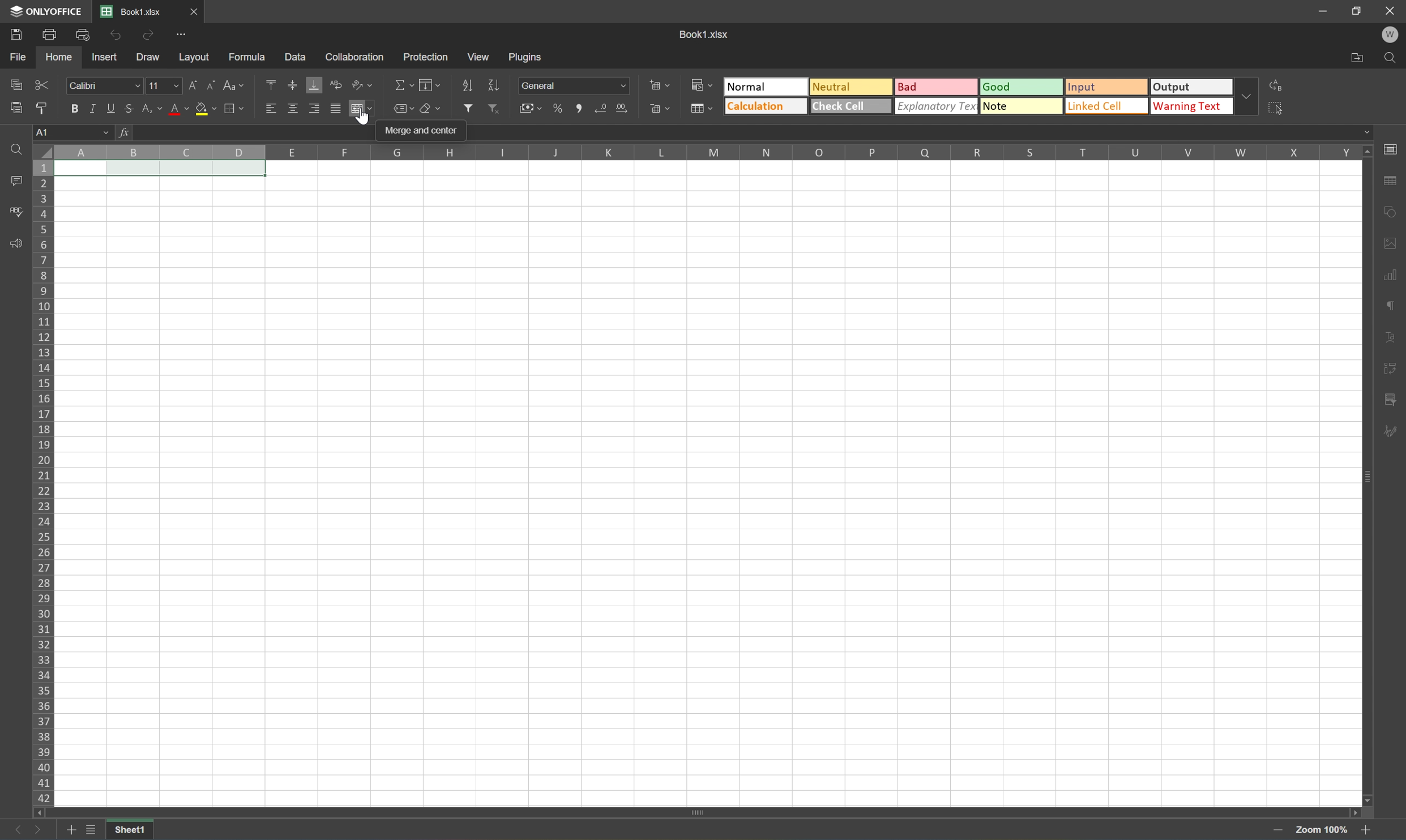 The width and height of the screenshot is (1406, 840). I want to click on Customize Quick Access Toolbar, so click(183, 38).